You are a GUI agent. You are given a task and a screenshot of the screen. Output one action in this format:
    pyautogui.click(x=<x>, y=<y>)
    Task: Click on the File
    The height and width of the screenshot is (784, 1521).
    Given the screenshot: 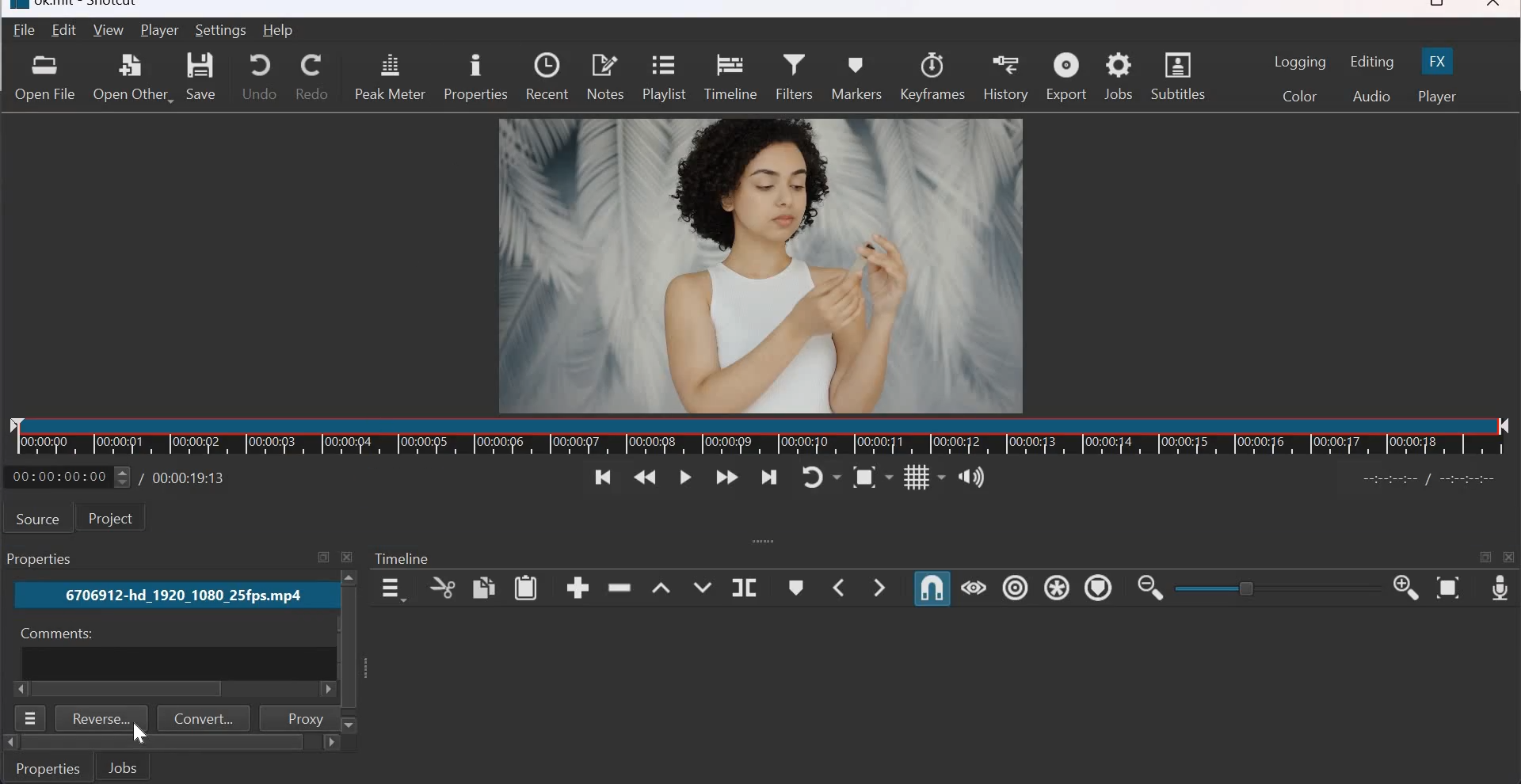 What is the action you would take?
    pyautogui.click(x=21, y=31)
    